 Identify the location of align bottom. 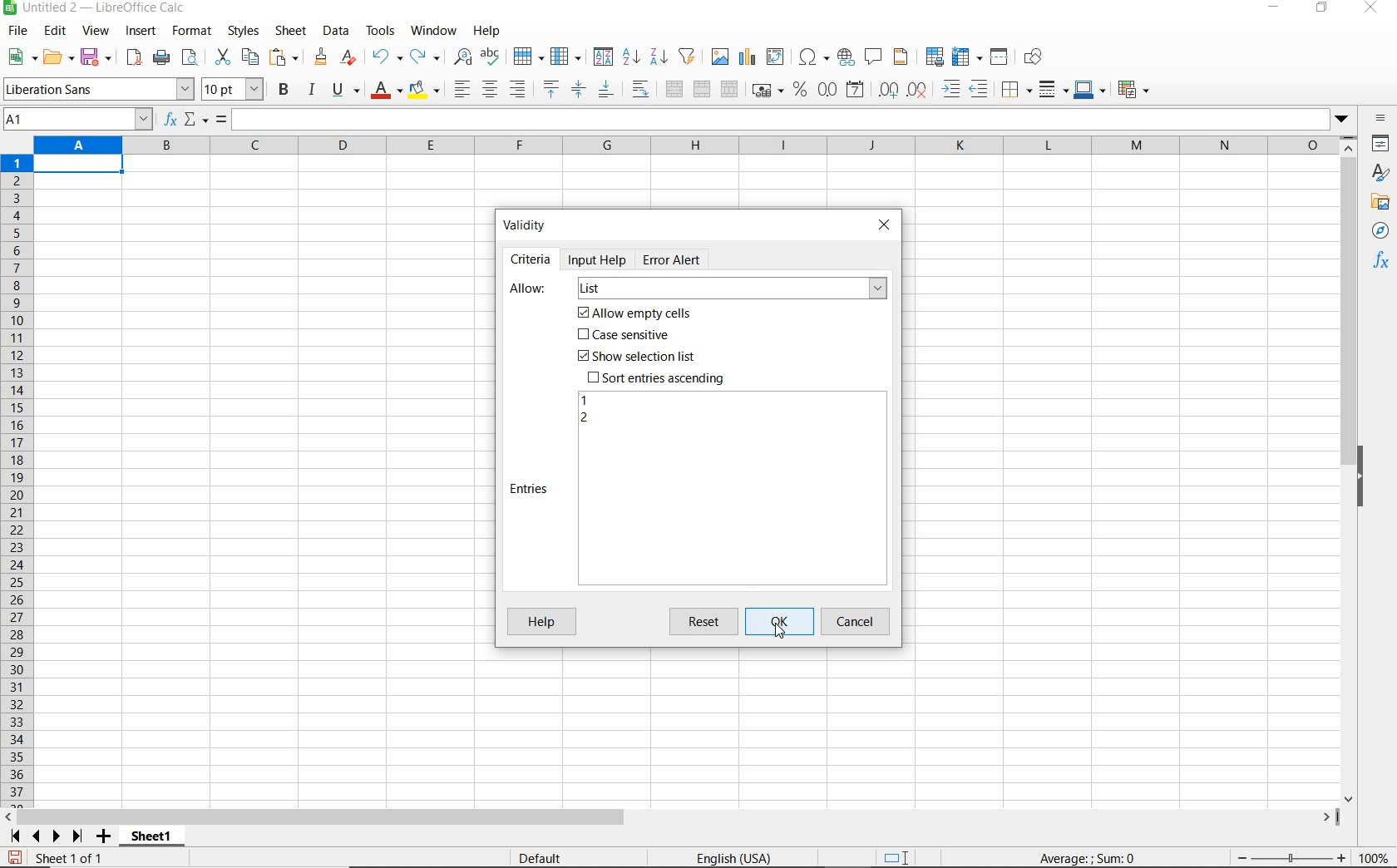
(605, 91).